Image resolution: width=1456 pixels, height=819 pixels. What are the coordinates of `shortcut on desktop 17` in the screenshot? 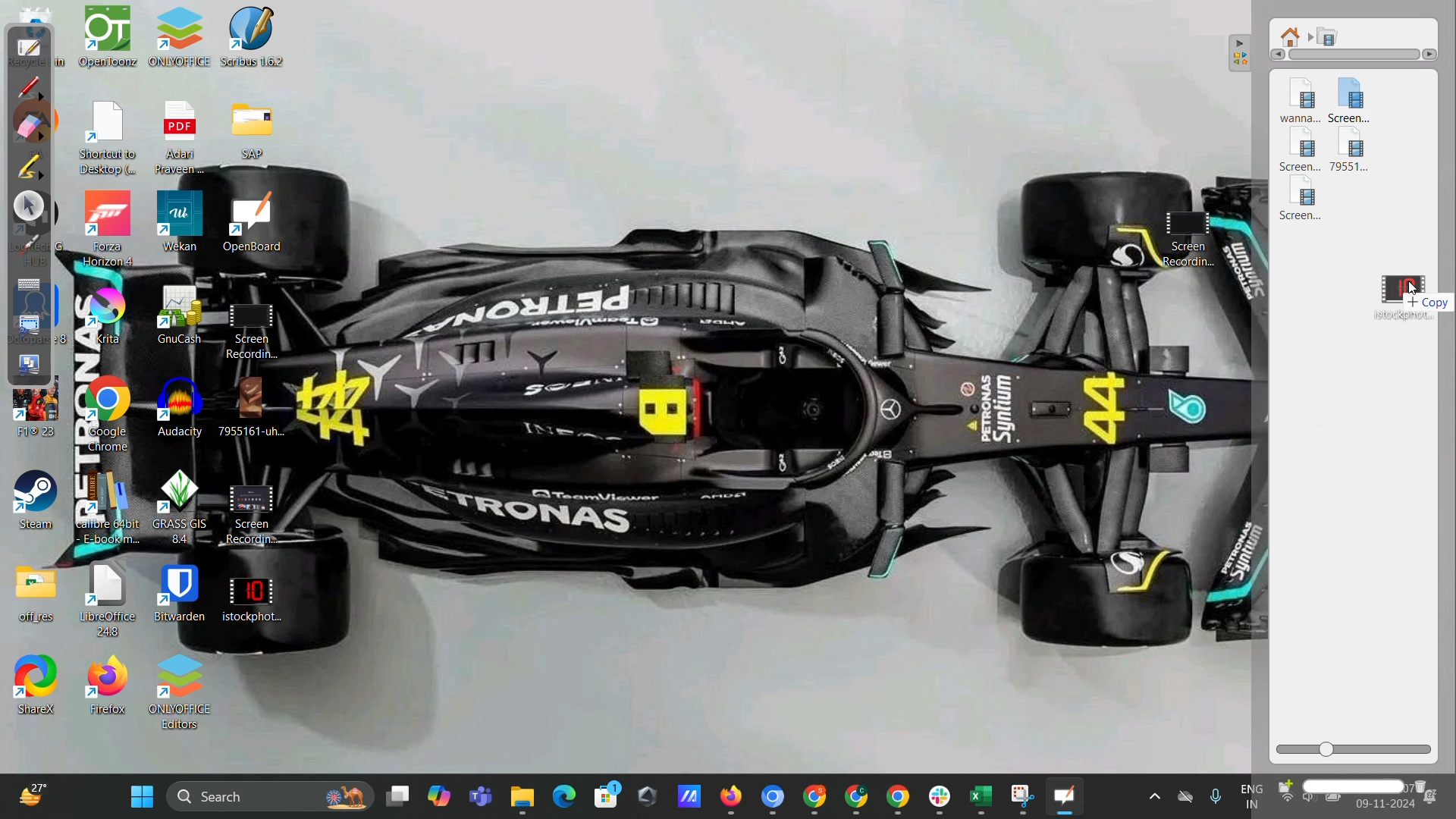 It's located at (39, 687).